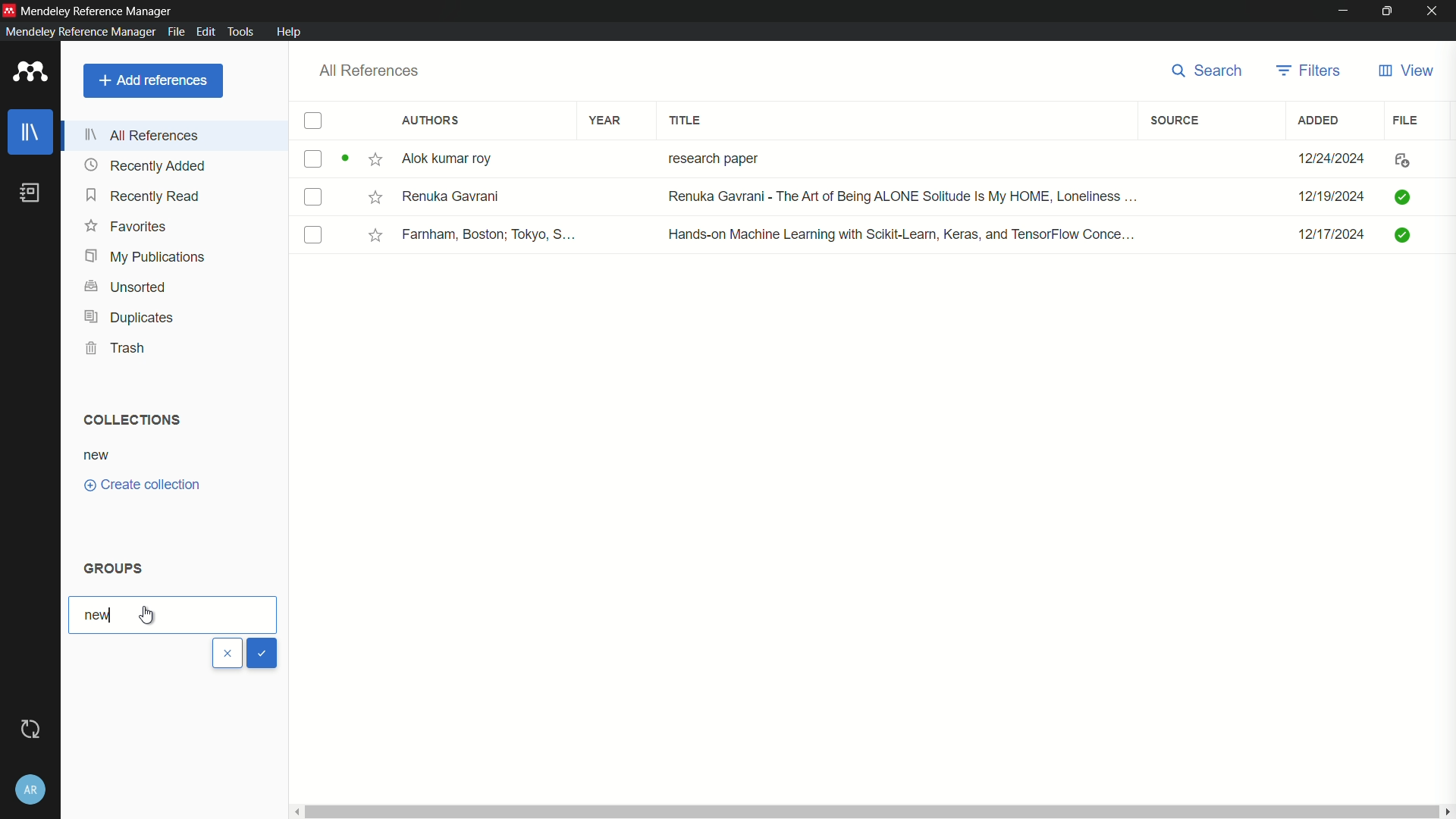 This screenshot has width=1456, height=819. I want to click on Date, so click(1334, 240).